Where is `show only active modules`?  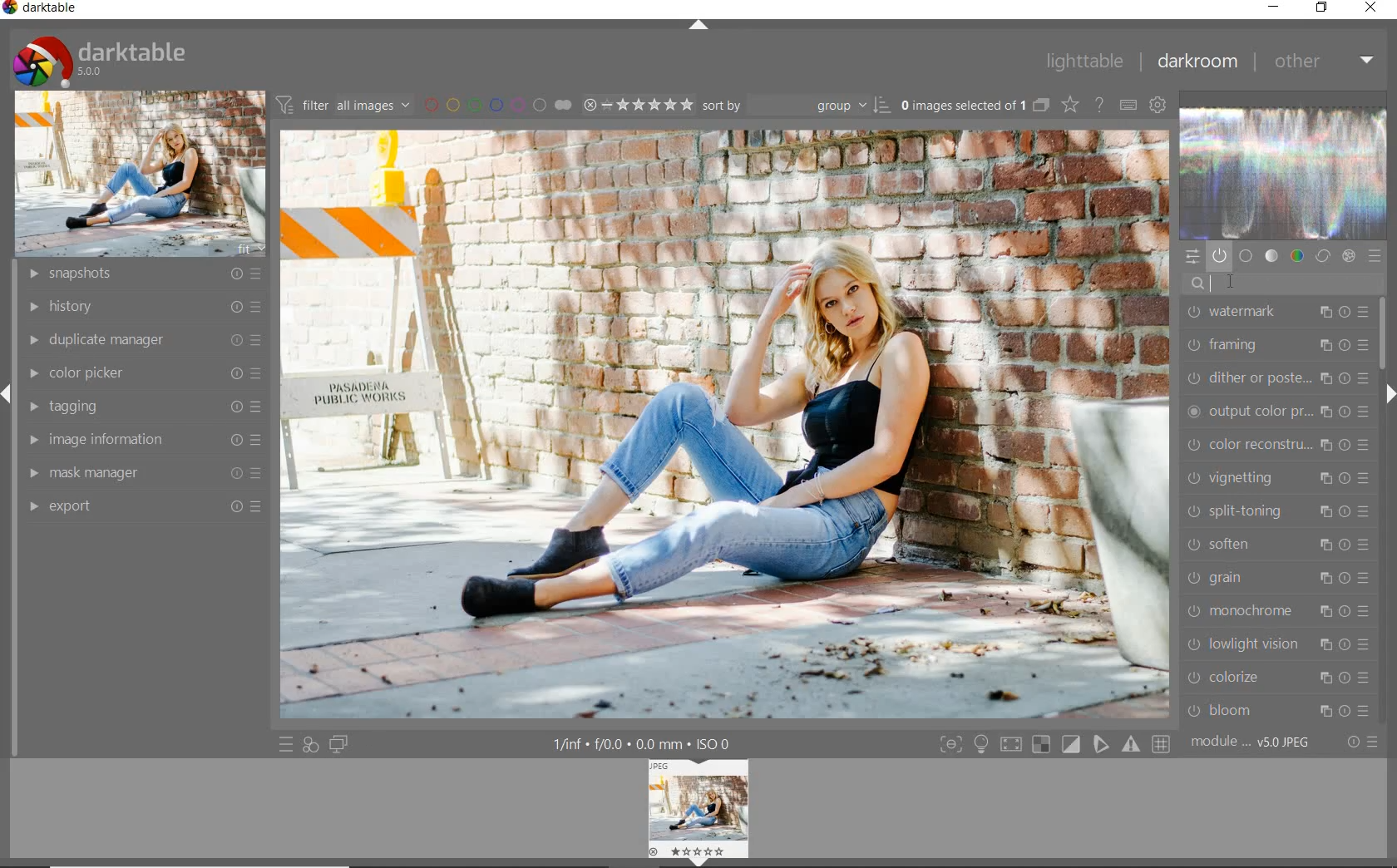 show only active modules is located at coordinates (1220, 254).